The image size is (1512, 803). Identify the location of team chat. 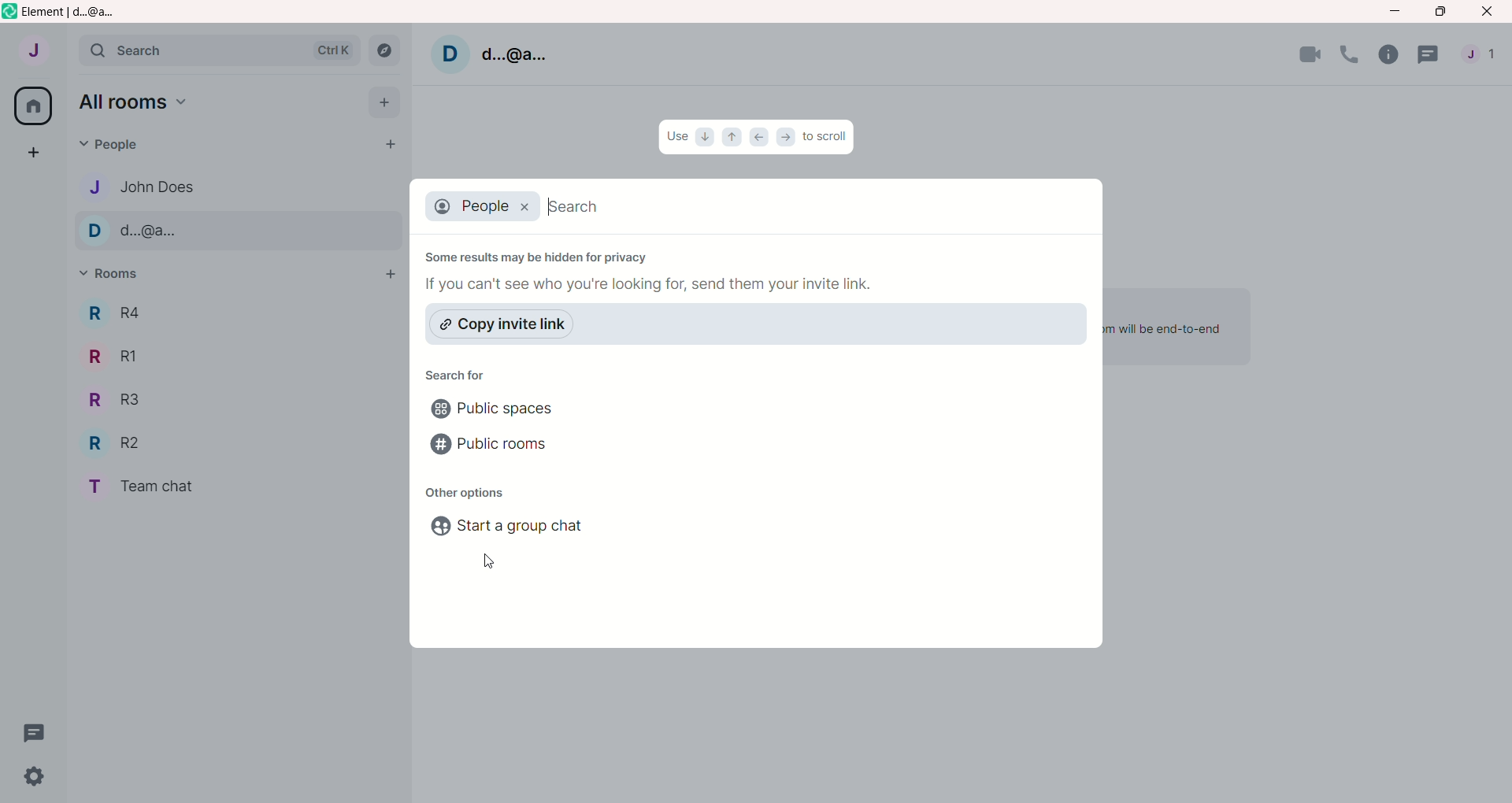
(152, 488).